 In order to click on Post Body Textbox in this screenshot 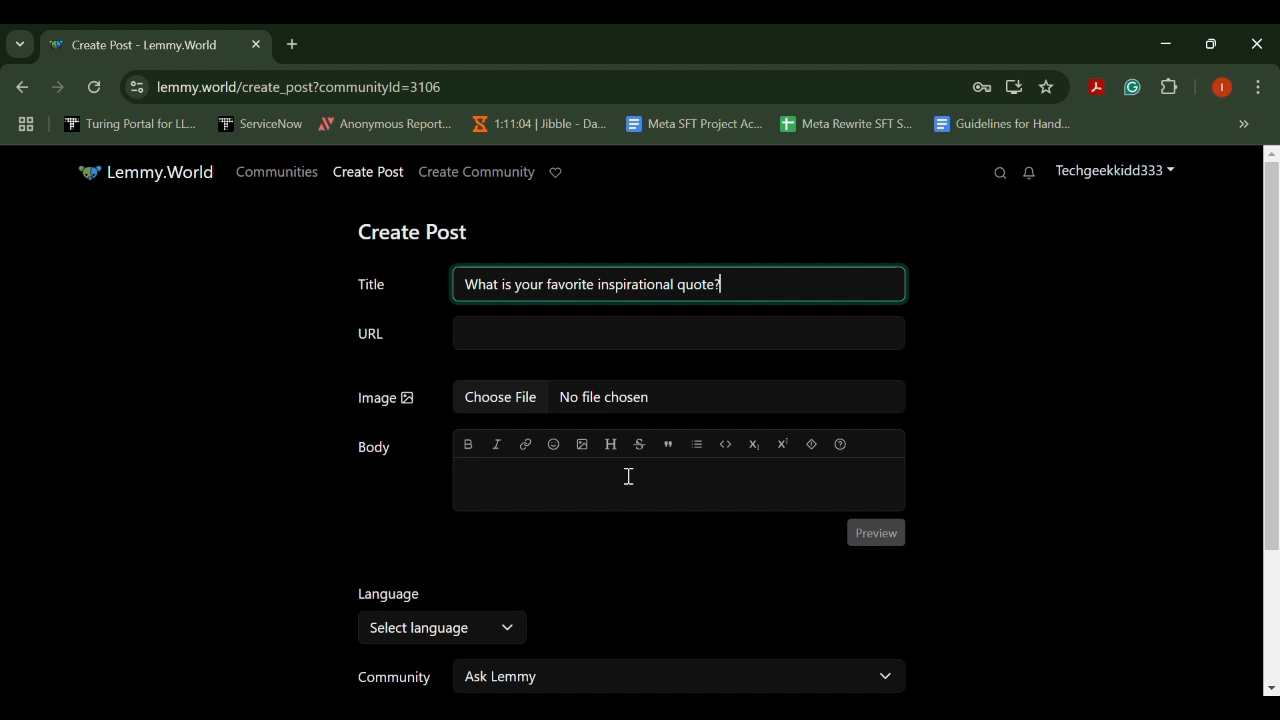, I will do `click(676, 484)`.